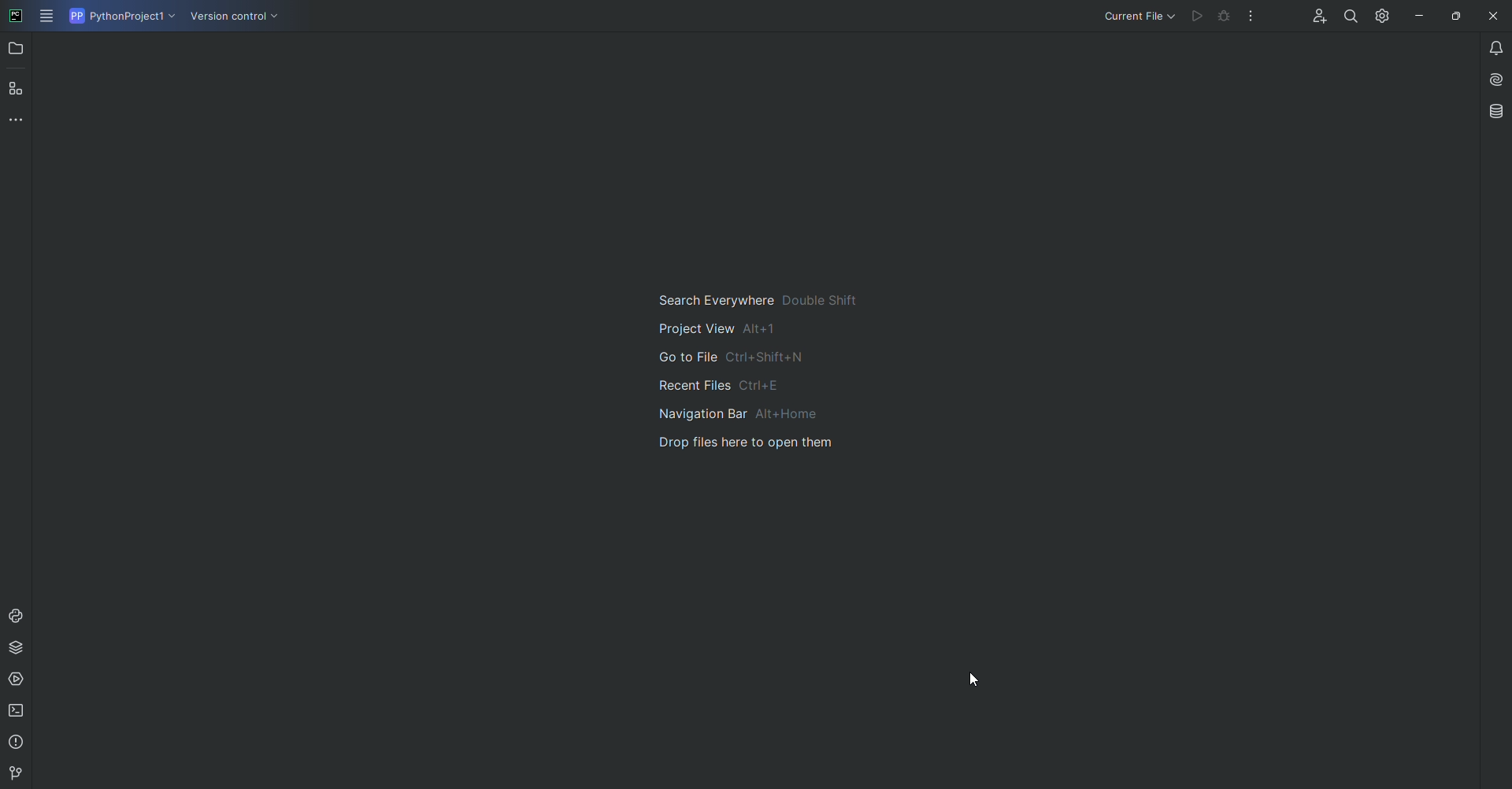  Describe the element at coordinates (1491, 17) in the screenshot. I see `Close` at that location.